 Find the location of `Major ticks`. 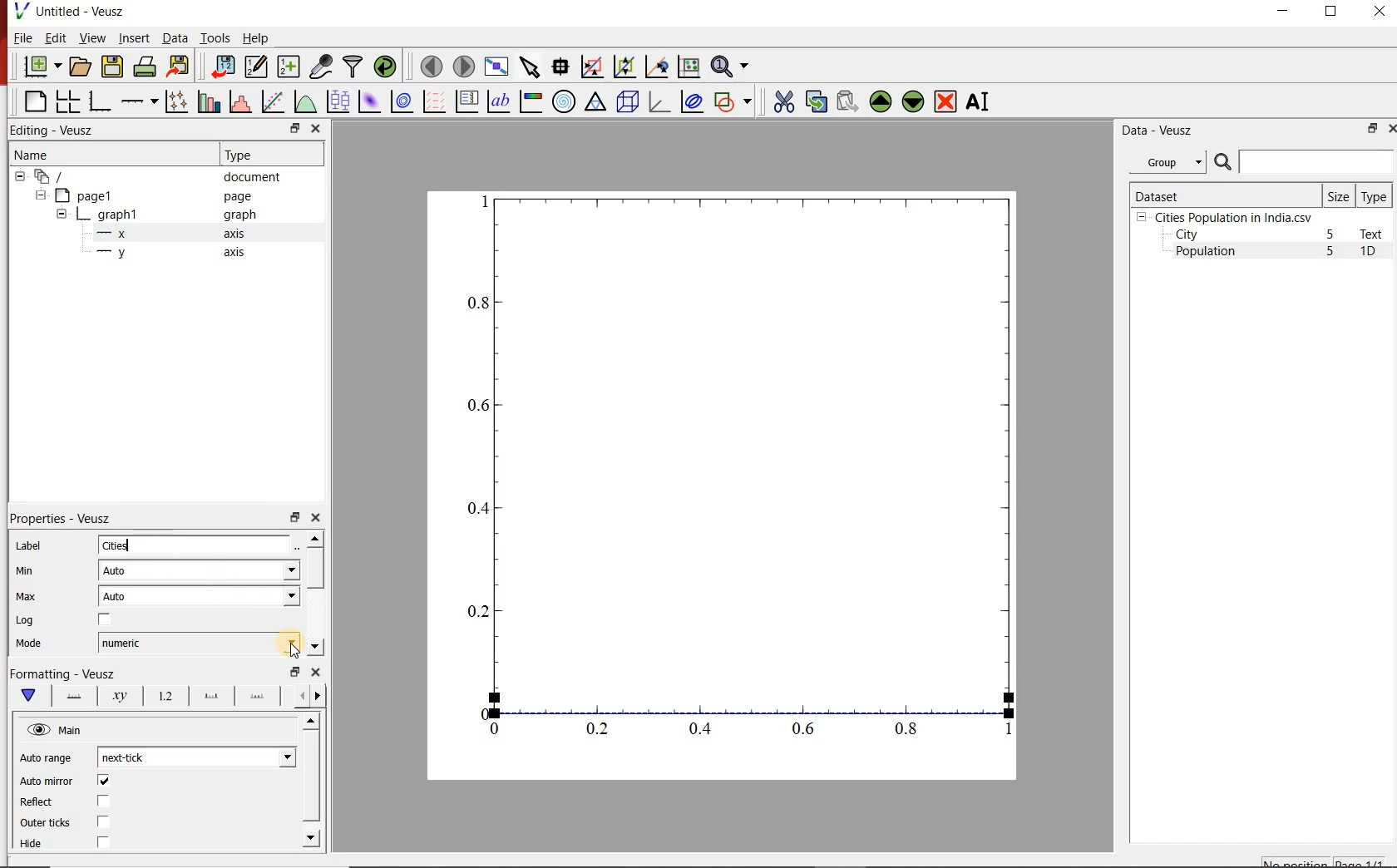

Major ticks is located at coordinates (206, 698).